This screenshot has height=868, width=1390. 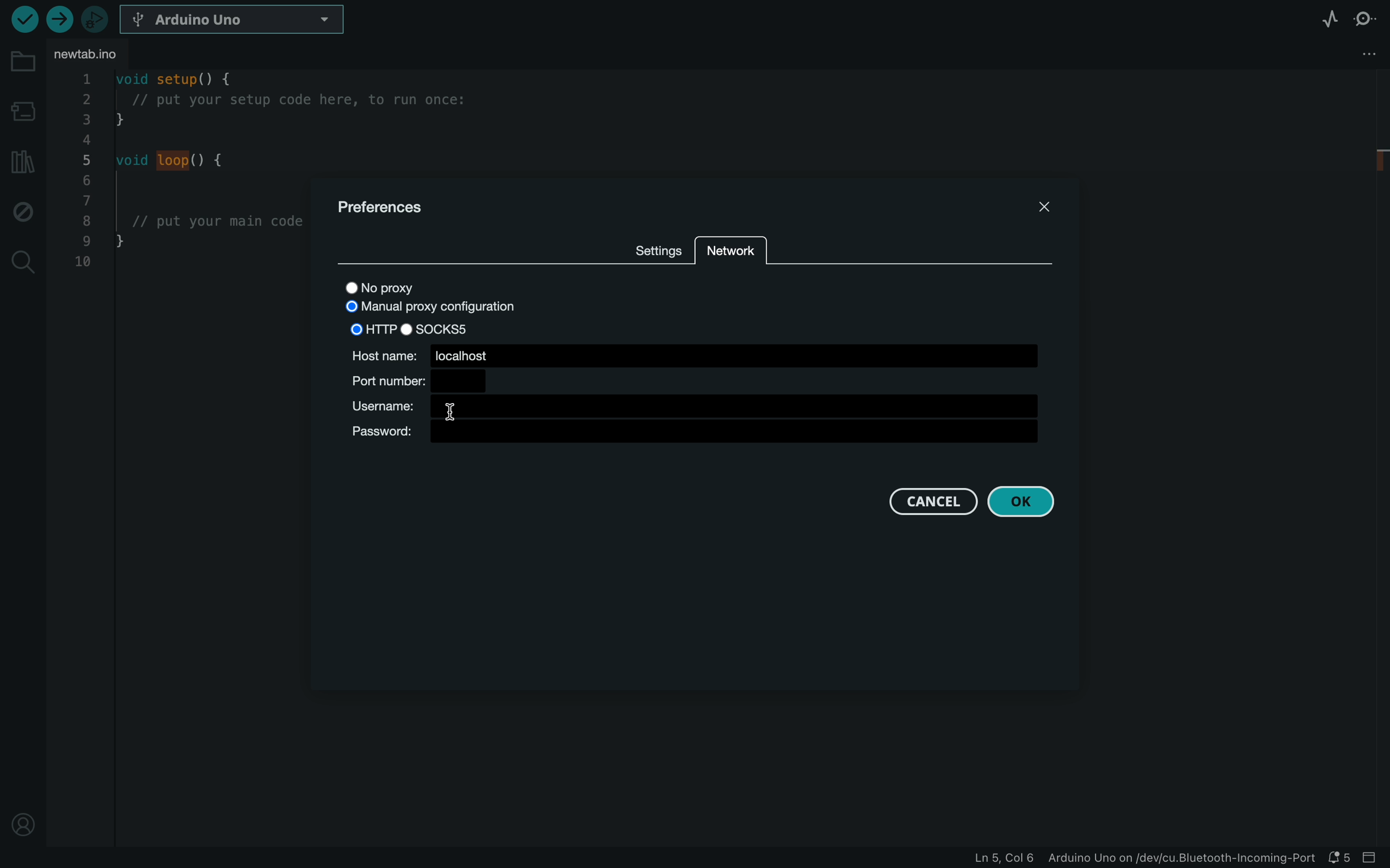 What do you see at coordinates (18, 819) in the screenshot?
I see `profile` at bounding box center [18, 819].